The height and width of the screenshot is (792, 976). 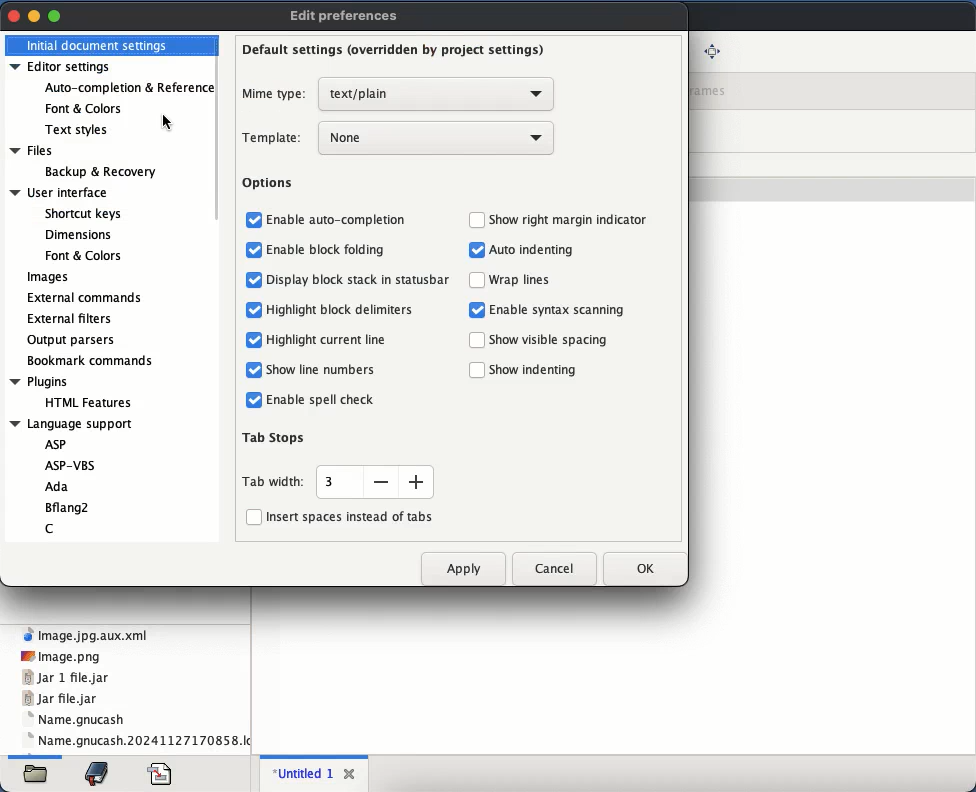 I want to click on ASP, so click(x=57, y=442).